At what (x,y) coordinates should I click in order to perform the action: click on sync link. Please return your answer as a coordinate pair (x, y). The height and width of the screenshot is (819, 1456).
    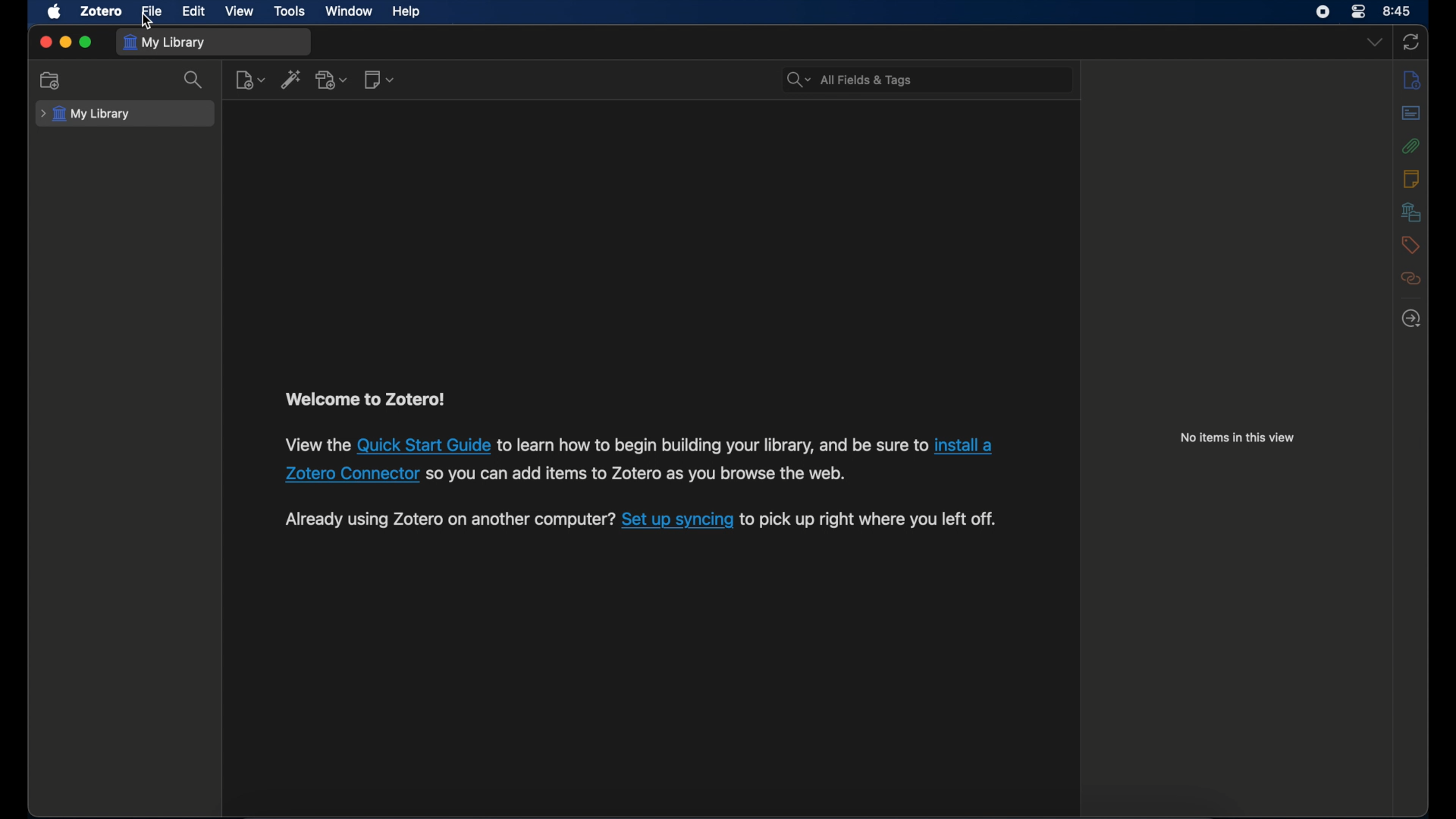
    Looking at the image, I should click on (677, 522).